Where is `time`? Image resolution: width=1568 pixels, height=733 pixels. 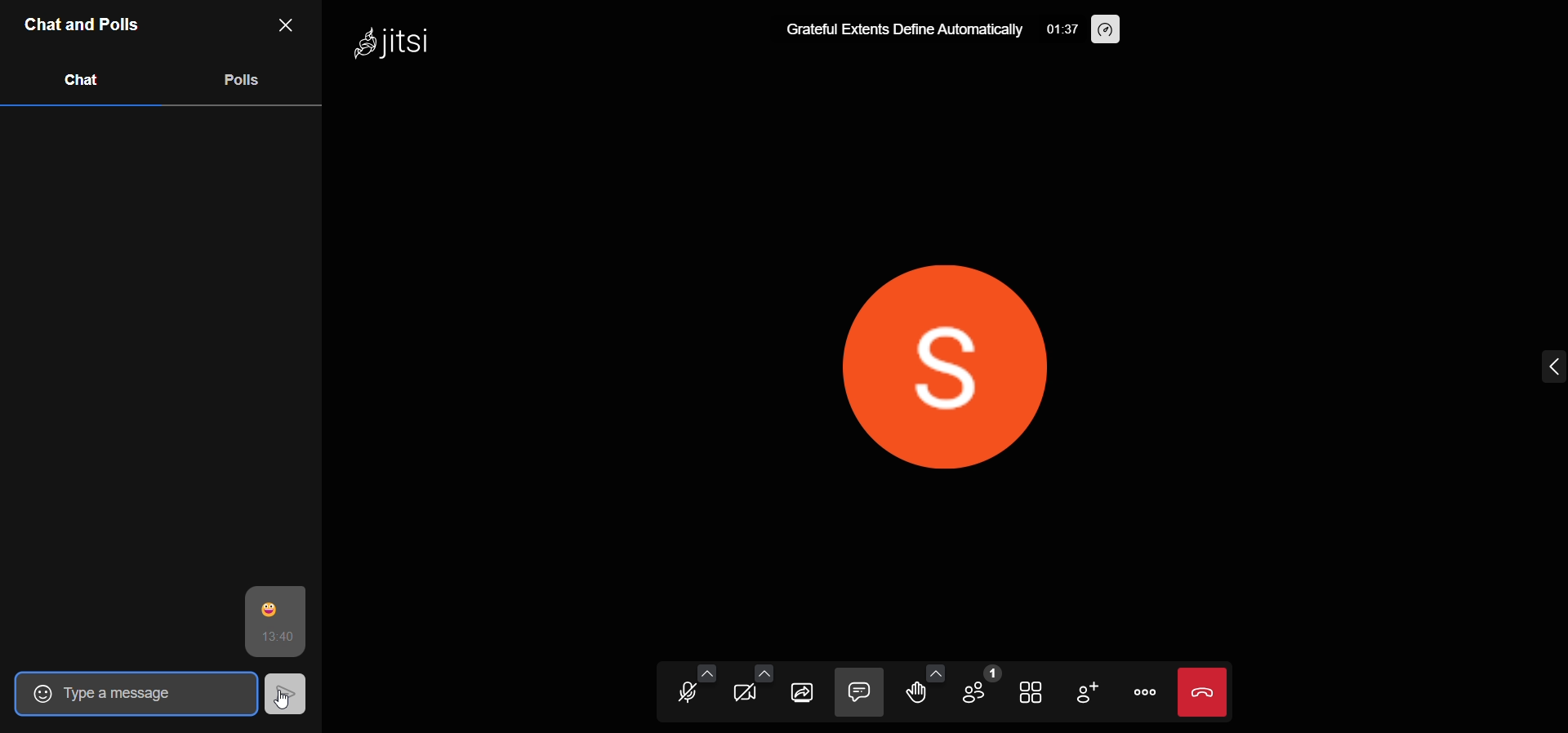
time is located at coordinates (1060, 28).